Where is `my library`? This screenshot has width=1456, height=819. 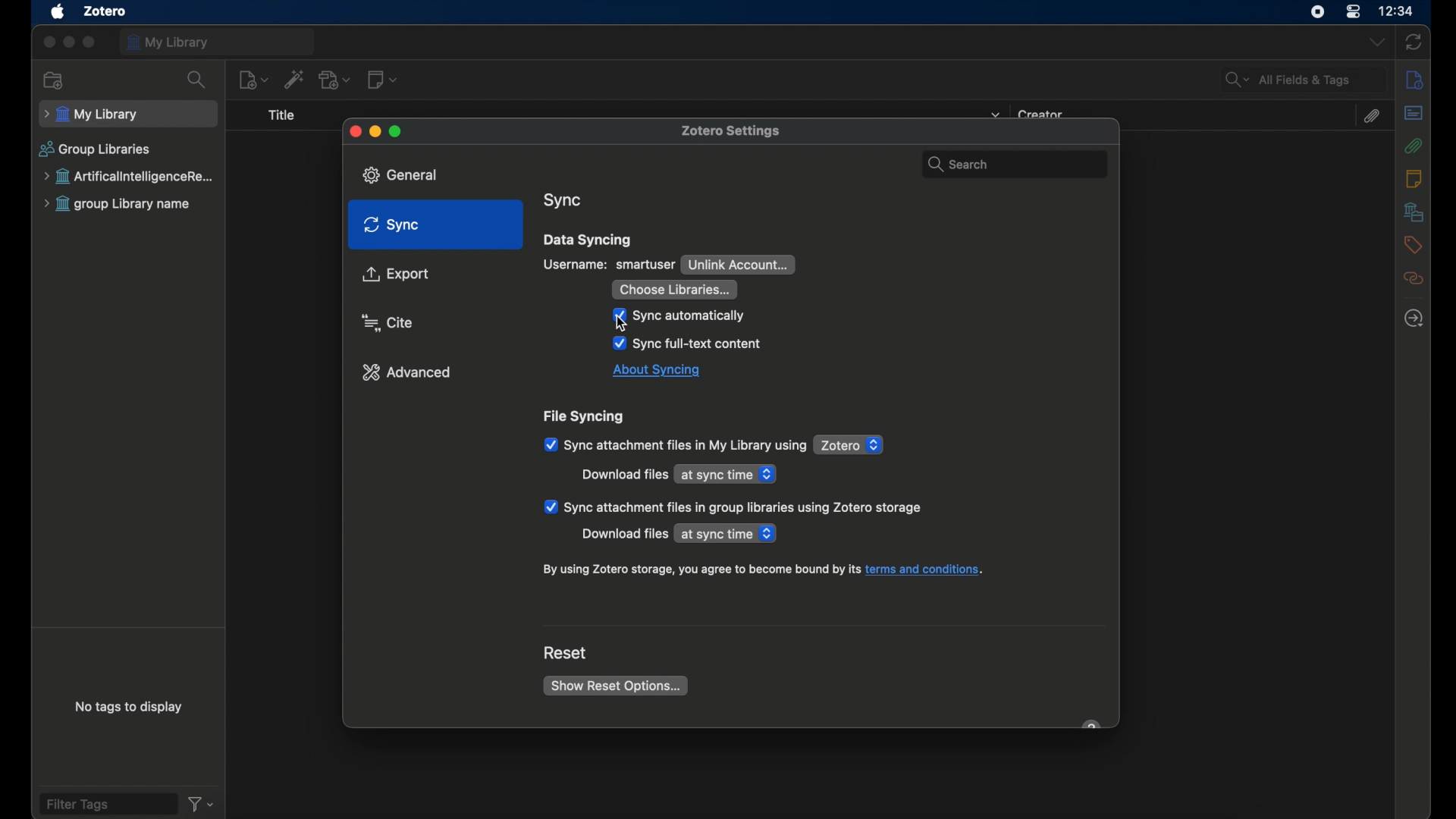 my library is located at coordinates (218, 42).